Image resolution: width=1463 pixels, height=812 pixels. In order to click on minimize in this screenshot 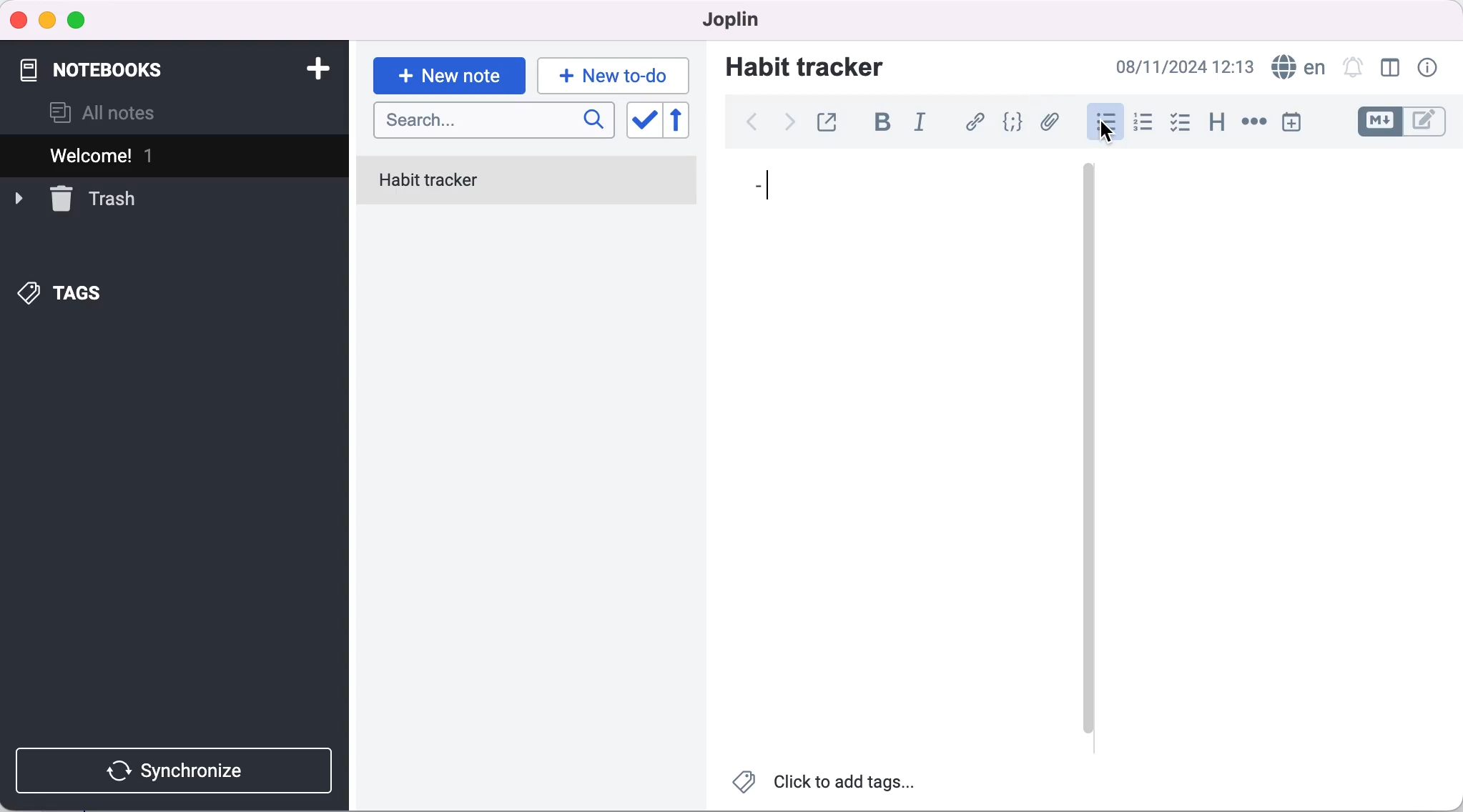, I will do `click(46, 21)`.